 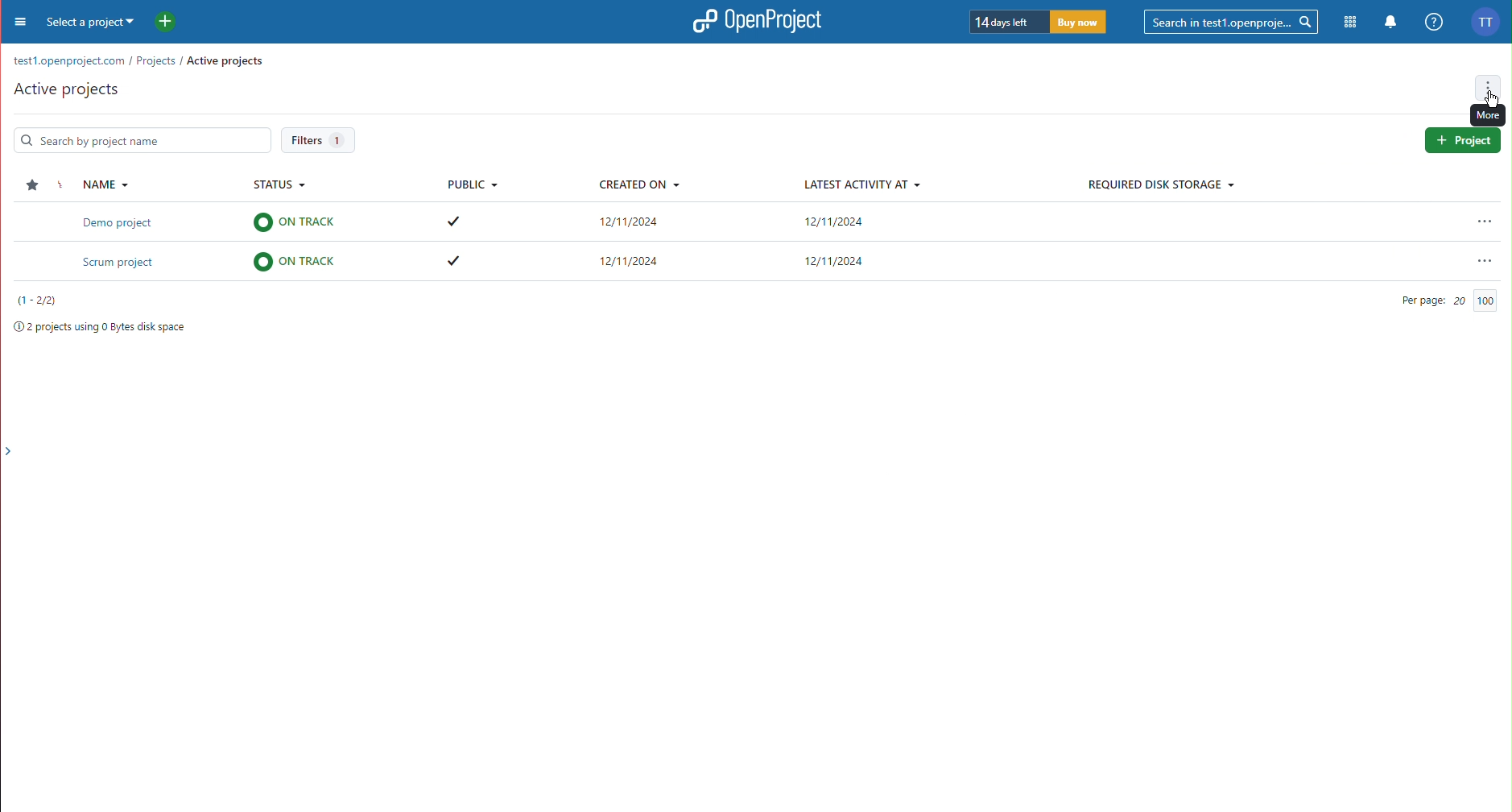 I want to click on Required Disk Storage, so click(x=1159, y=184).